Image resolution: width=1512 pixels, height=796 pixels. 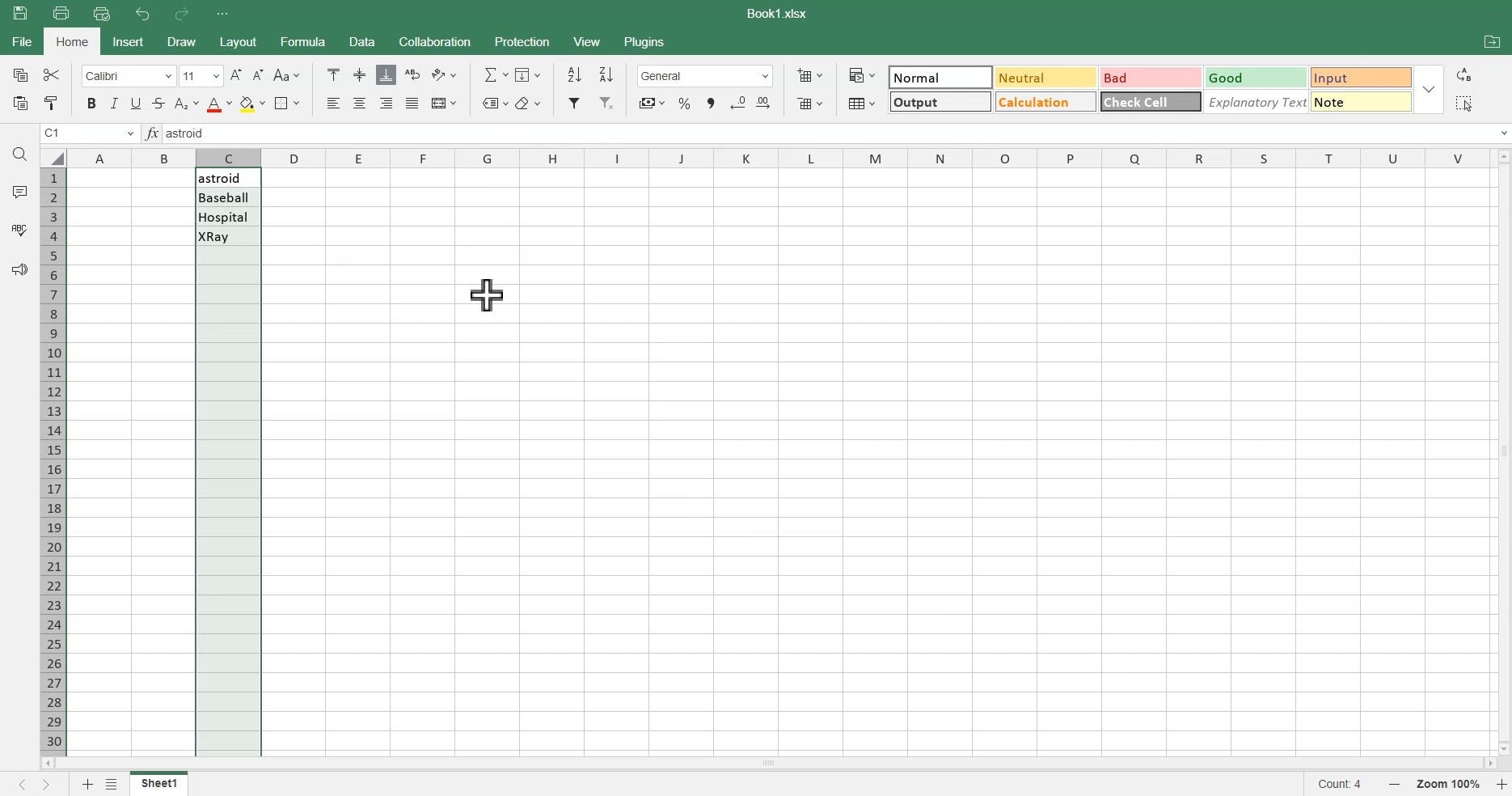 I want to click on Merge to center, so click(x=443, y=103).